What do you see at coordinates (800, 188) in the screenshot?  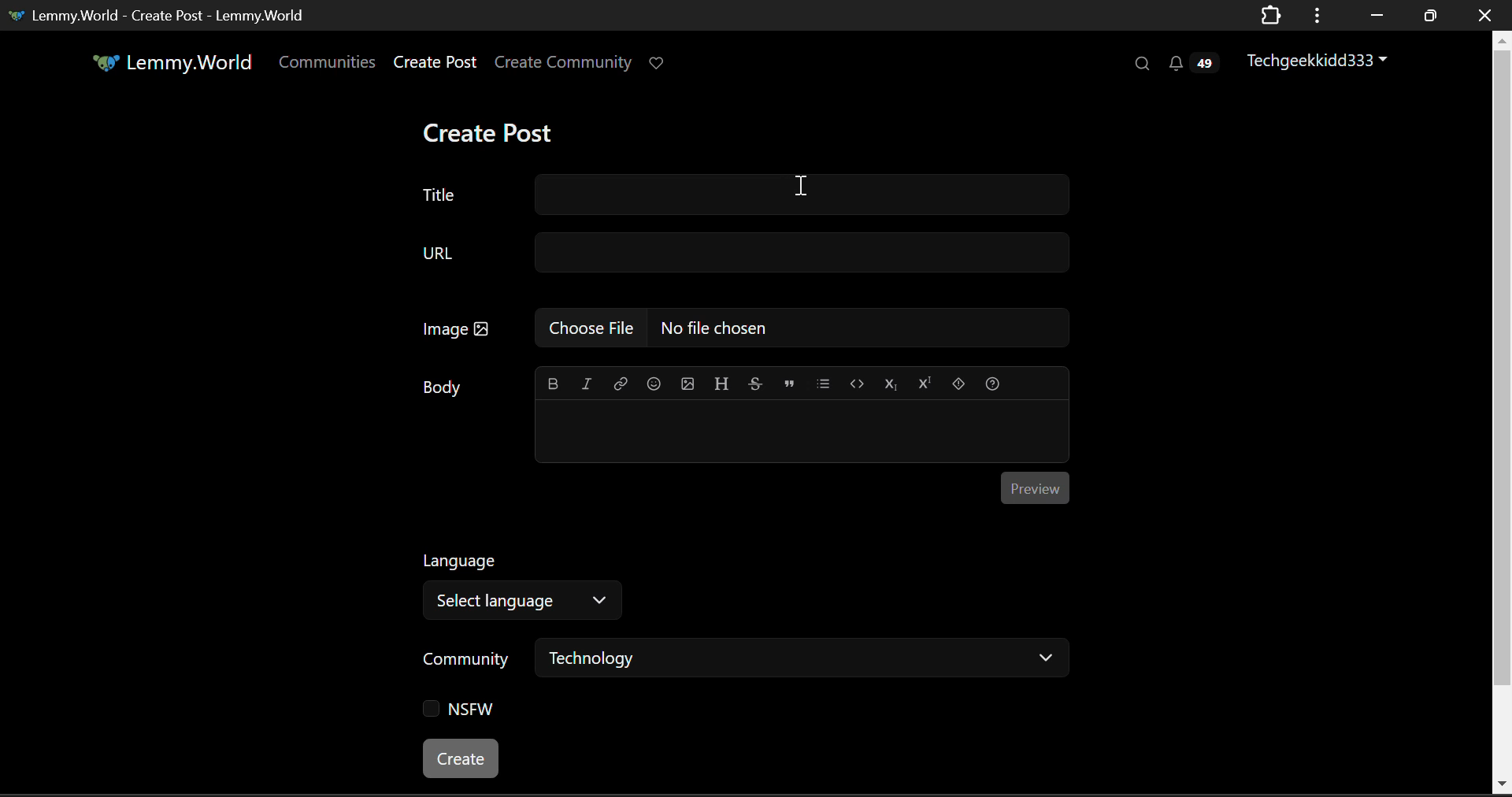 I see `Cursor on Title Textbox` at bounding box center [800, 188].